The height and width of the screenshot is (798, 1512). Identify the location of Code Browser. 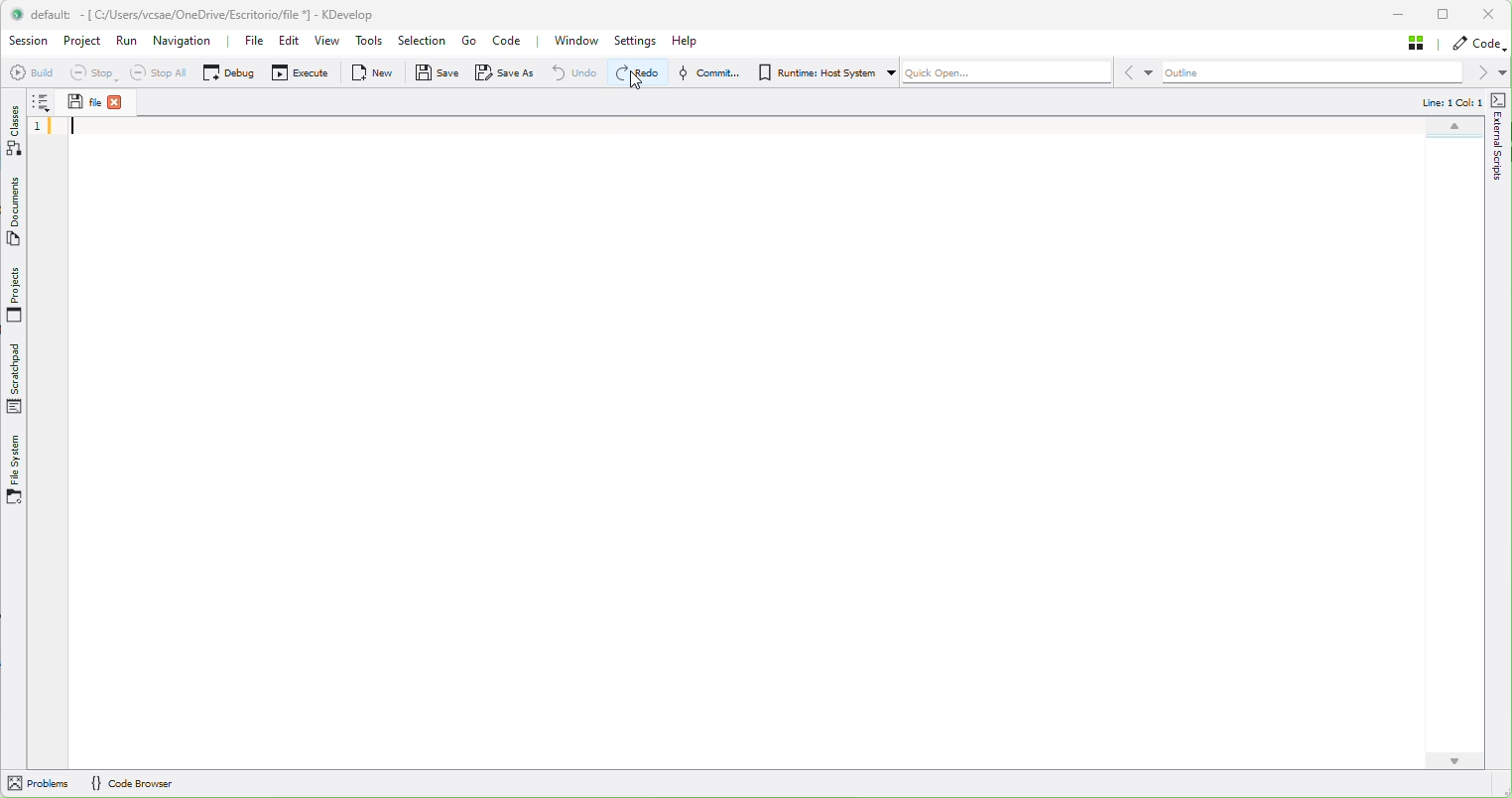
(135, 784).